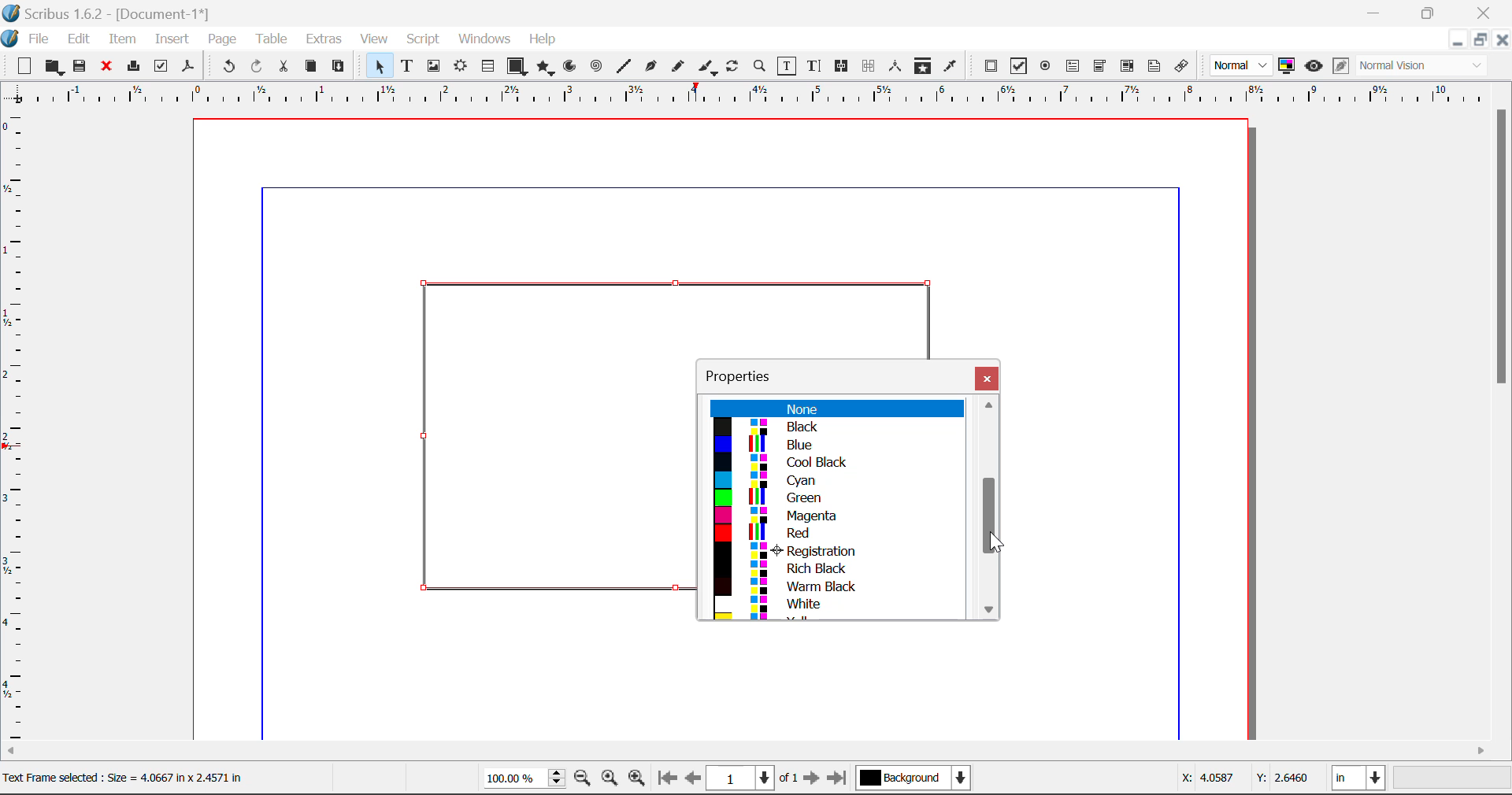 The height and width of the screenshot is (795, 1512). What do you see at coordinates (376, 65) in the screenshot?
I see `Select` at bounding box center [376, 65].